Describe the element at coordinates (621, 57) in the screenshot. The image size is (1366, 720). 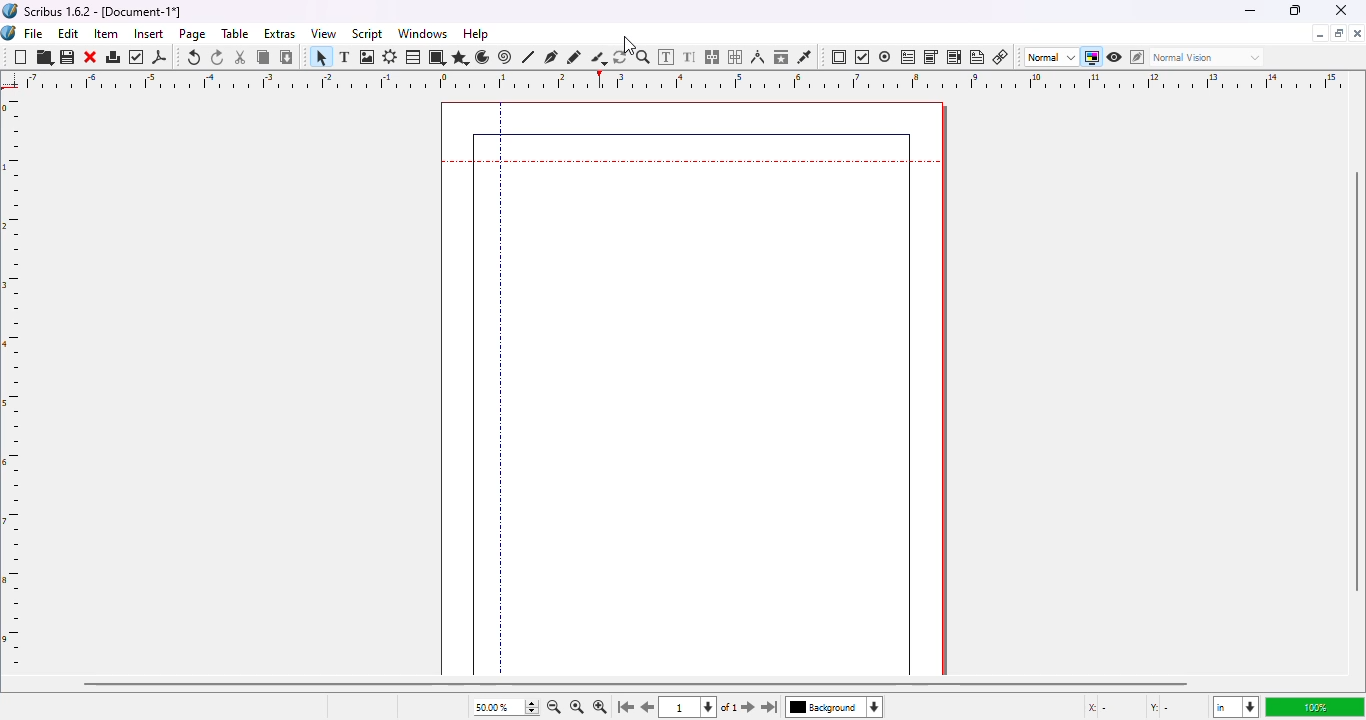
I see `rotate item` at that location.